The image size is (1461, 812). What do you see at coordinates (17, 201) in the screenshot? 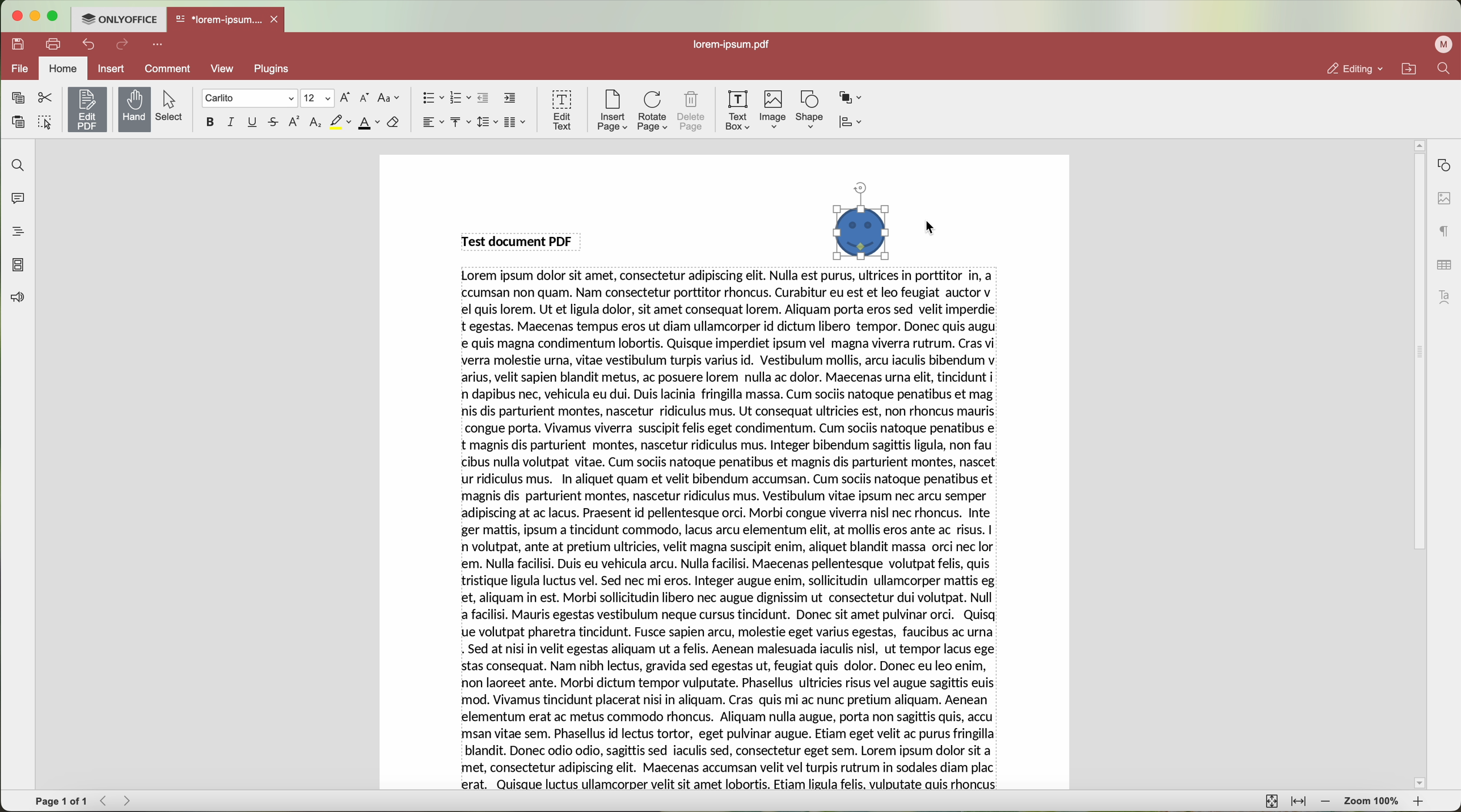
I see `comments` at bounding box center [17, 201].